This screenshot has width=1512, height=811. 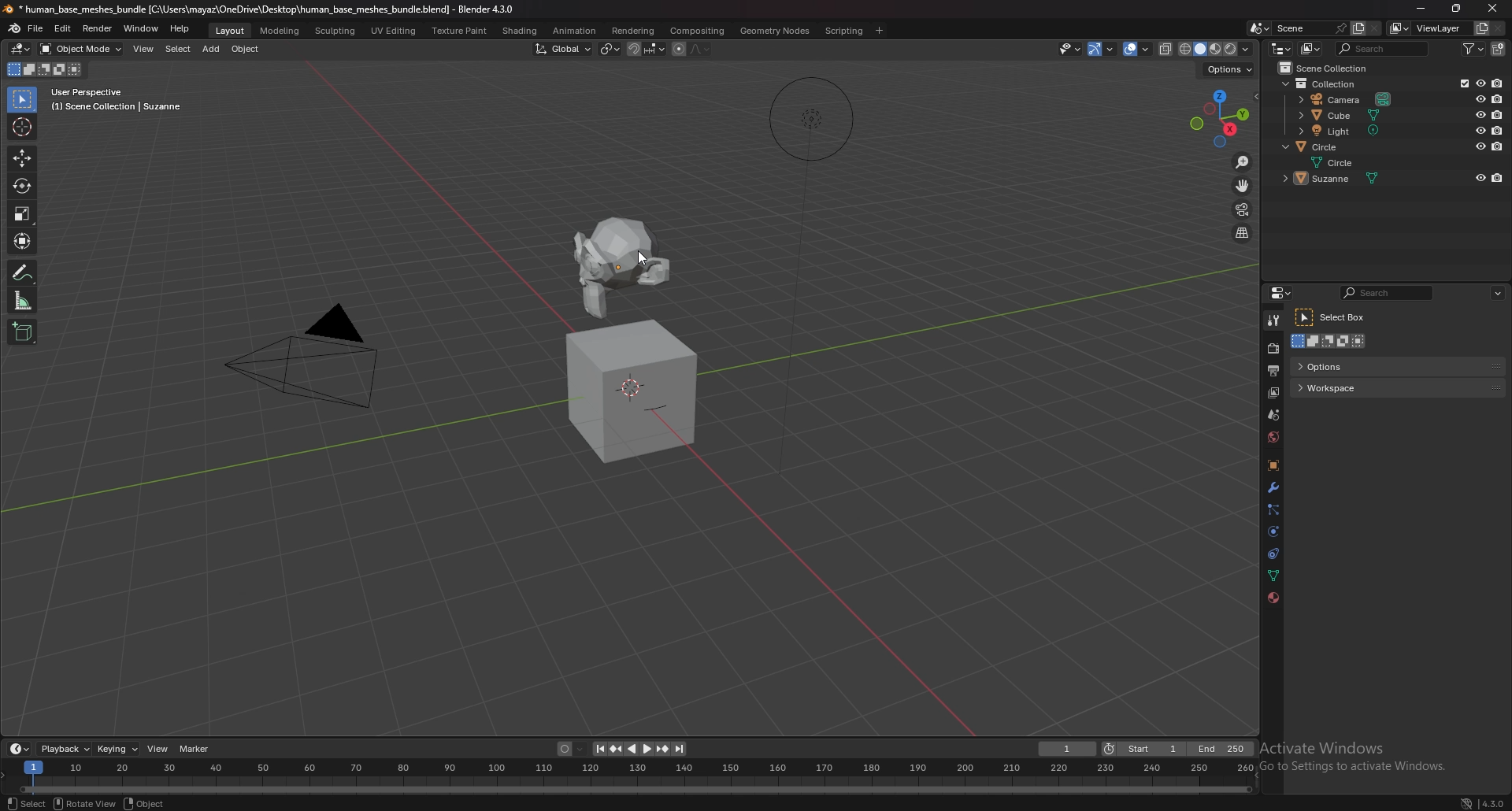 I want to click on version, so click(x=1493, y=804).